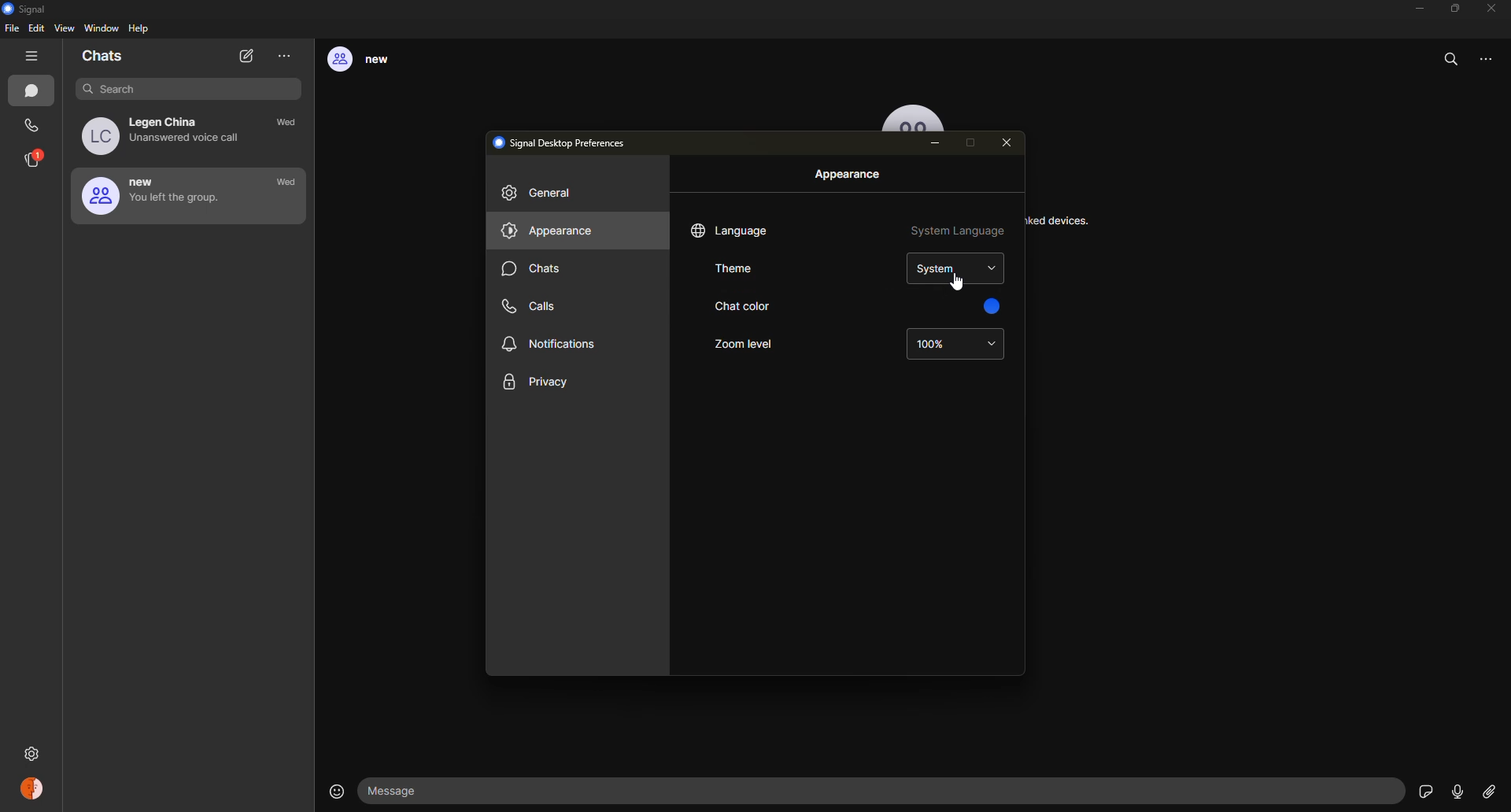 This screenshot has height=812, width=1511. Describe the element at coordinates (1010, 143) in the screenshot. I see `close` at that location.